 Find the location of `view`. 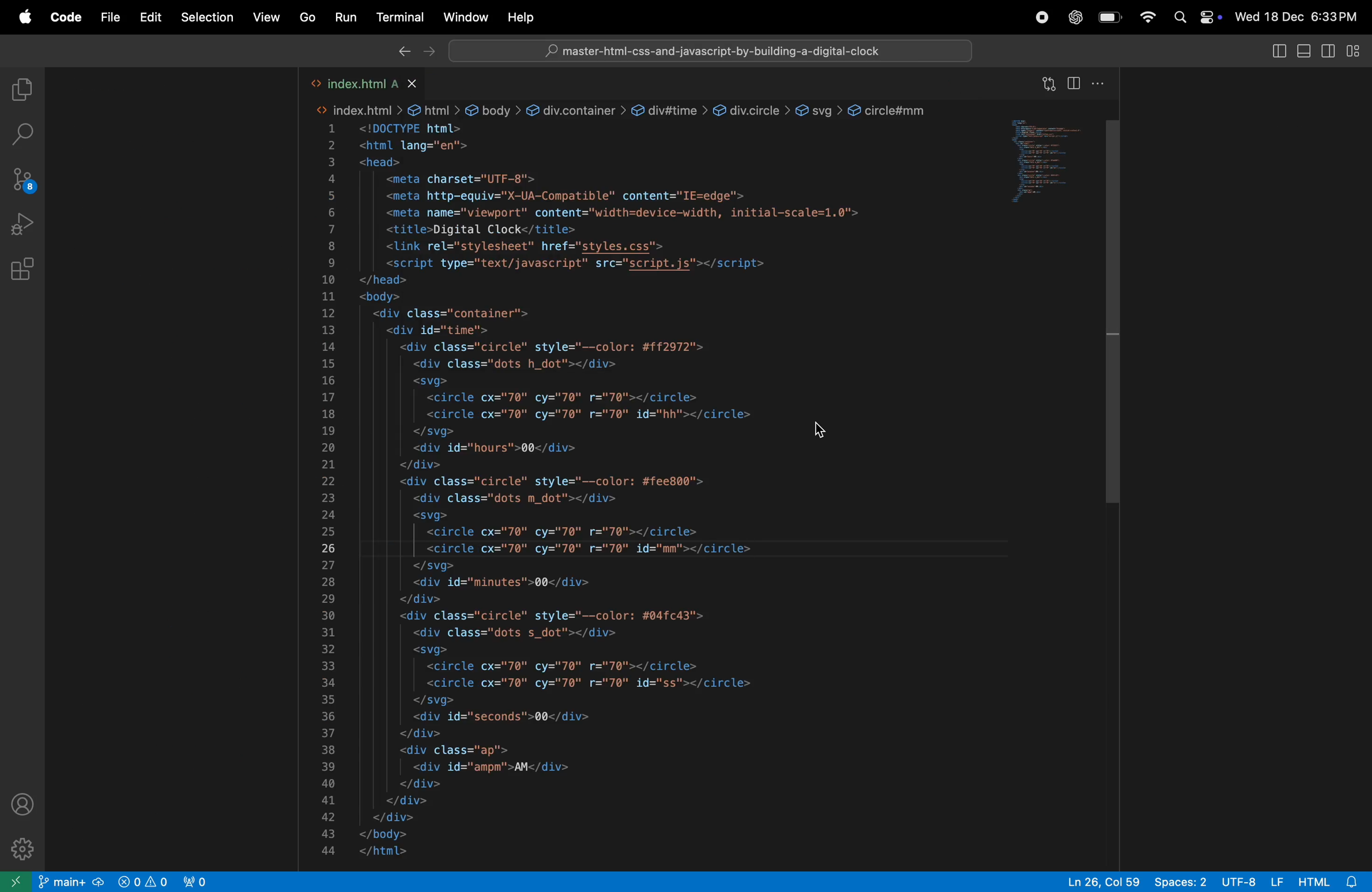

view is located at coordinates (265, 17).